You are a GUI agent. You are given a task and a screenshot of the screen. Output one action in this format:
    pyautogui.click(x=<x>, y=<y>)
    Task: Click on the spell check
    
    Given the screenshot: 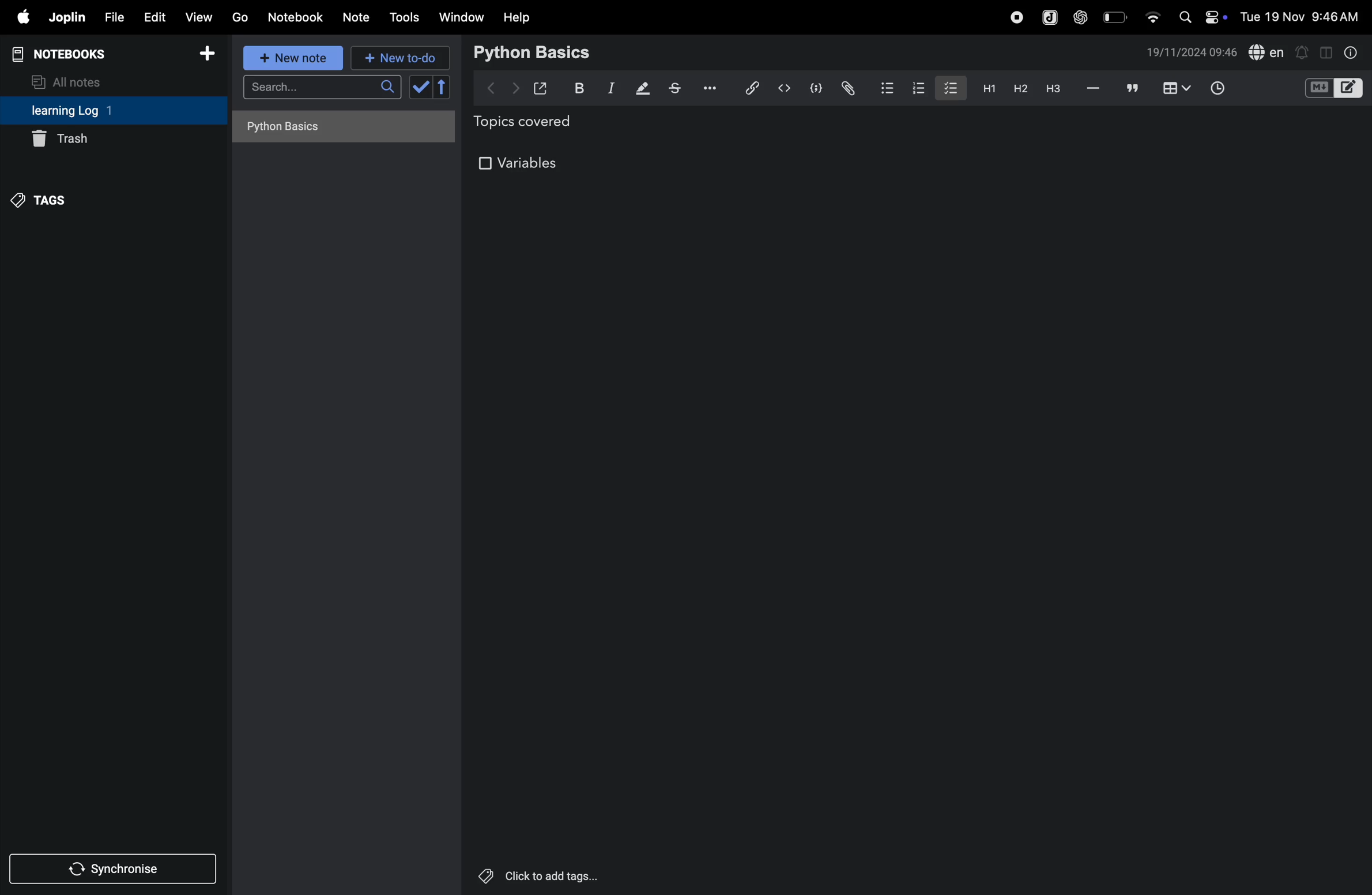 What is the action you would take?
    pyautogui.click(x=1267, y=53)
    